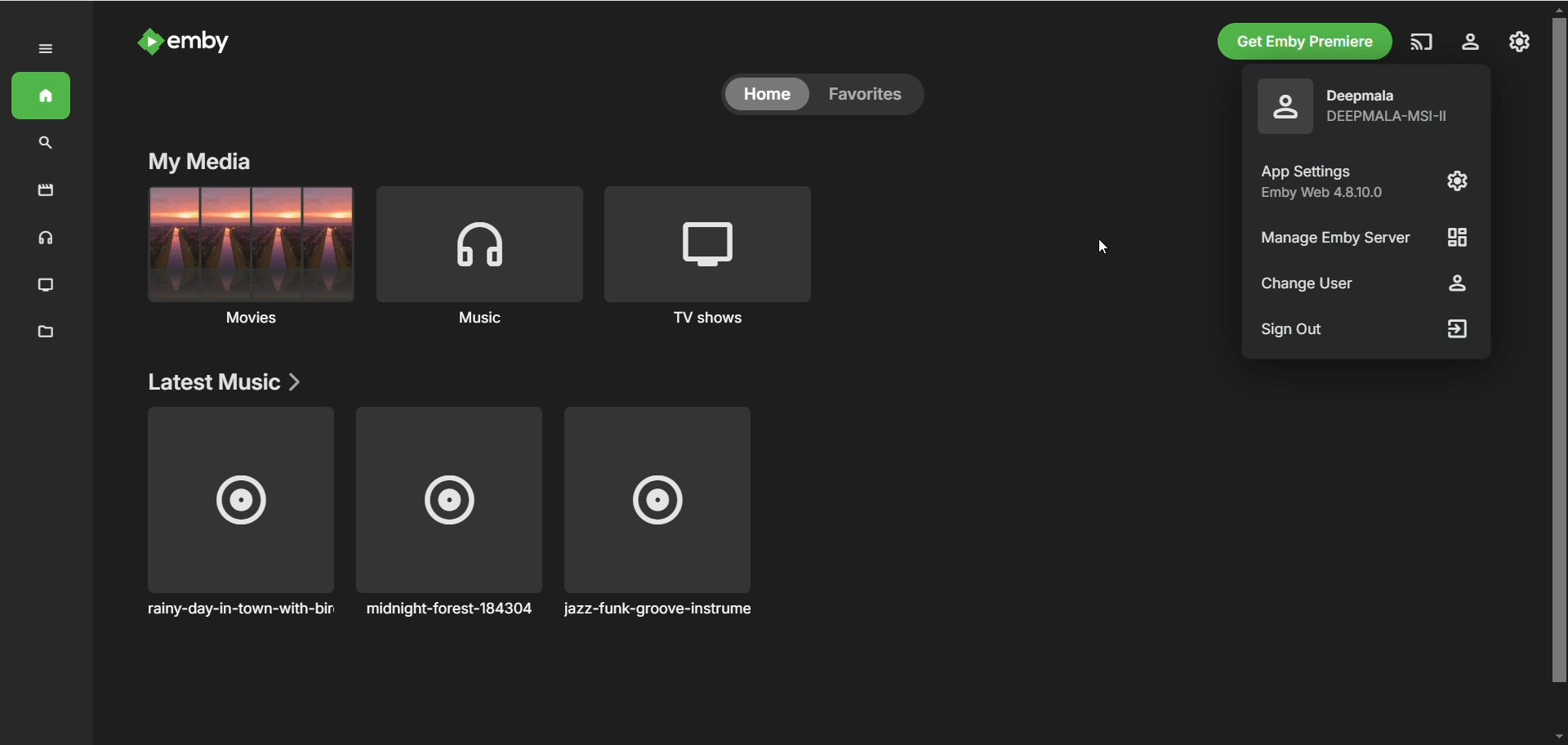 The height and width of the screenshot is (745, 1568). What do you see at coordinates (207, 45) in the screenshot?
I see `emby` at bounding box center [207, 45].